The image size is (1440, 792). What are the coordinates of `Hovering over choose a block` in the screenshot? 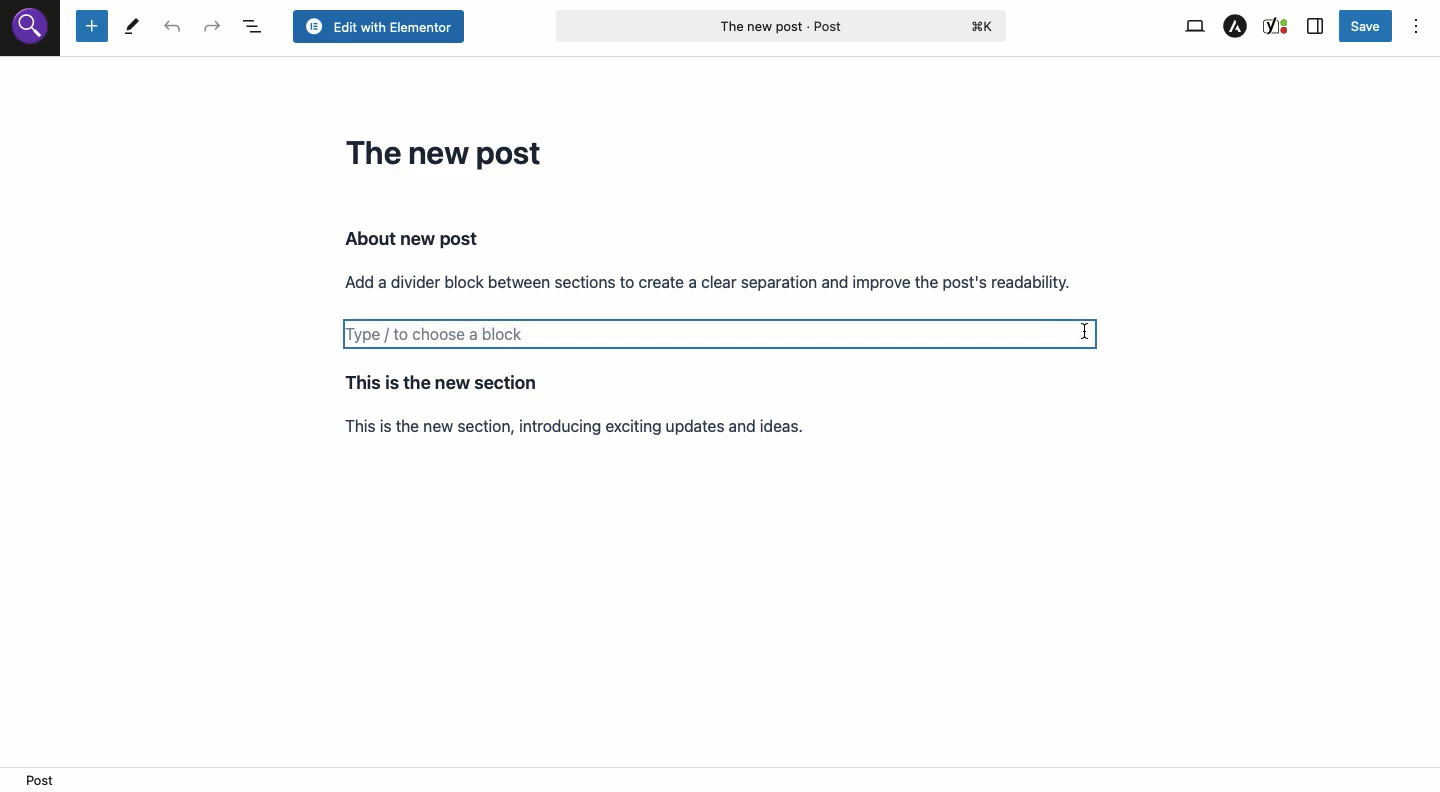 It's located at (723, 339).